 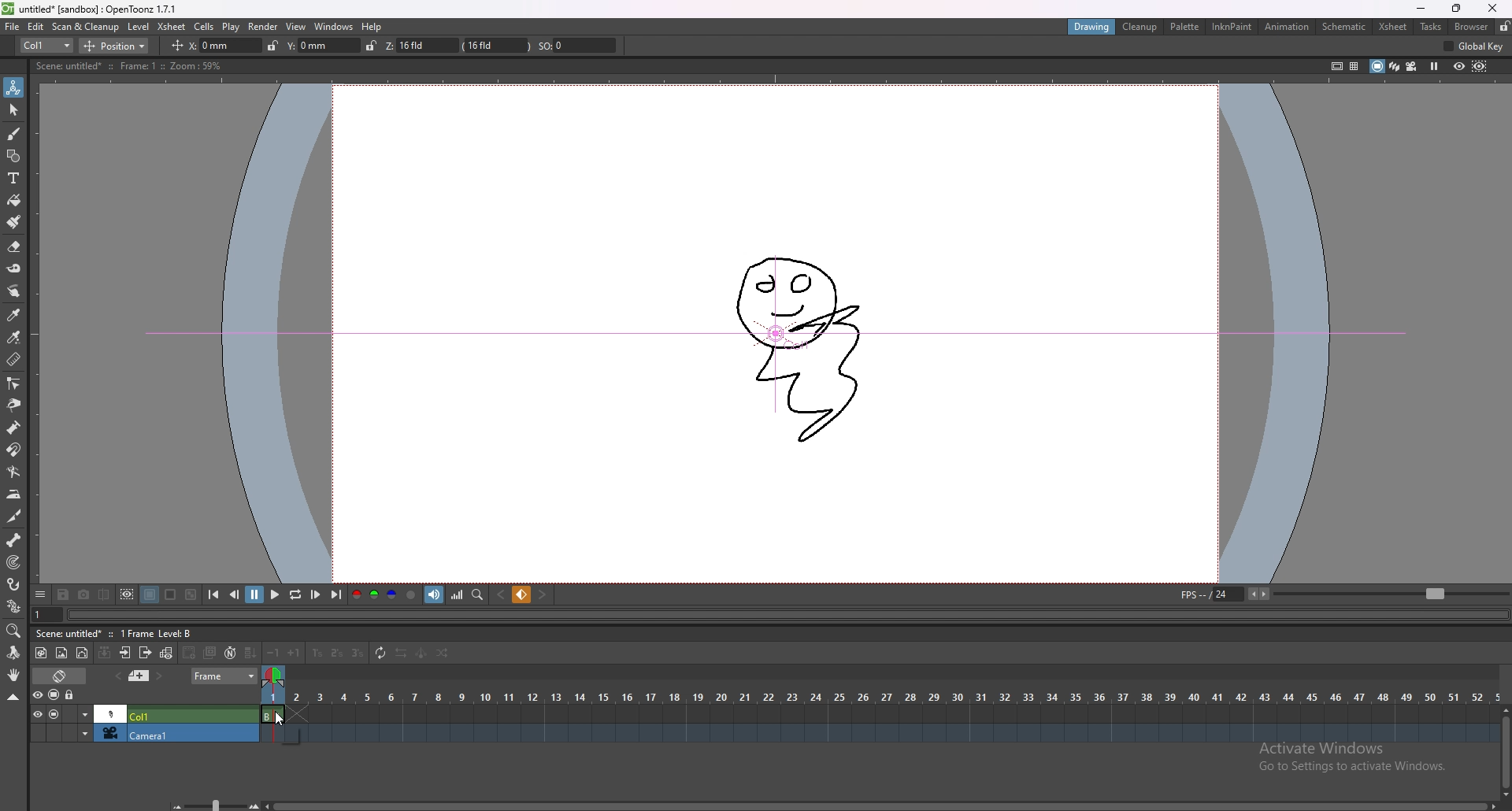 What do you see at coordinates (203, 45) in the screenshot?
I see `X coordinates` at bounding box center [203, 45].